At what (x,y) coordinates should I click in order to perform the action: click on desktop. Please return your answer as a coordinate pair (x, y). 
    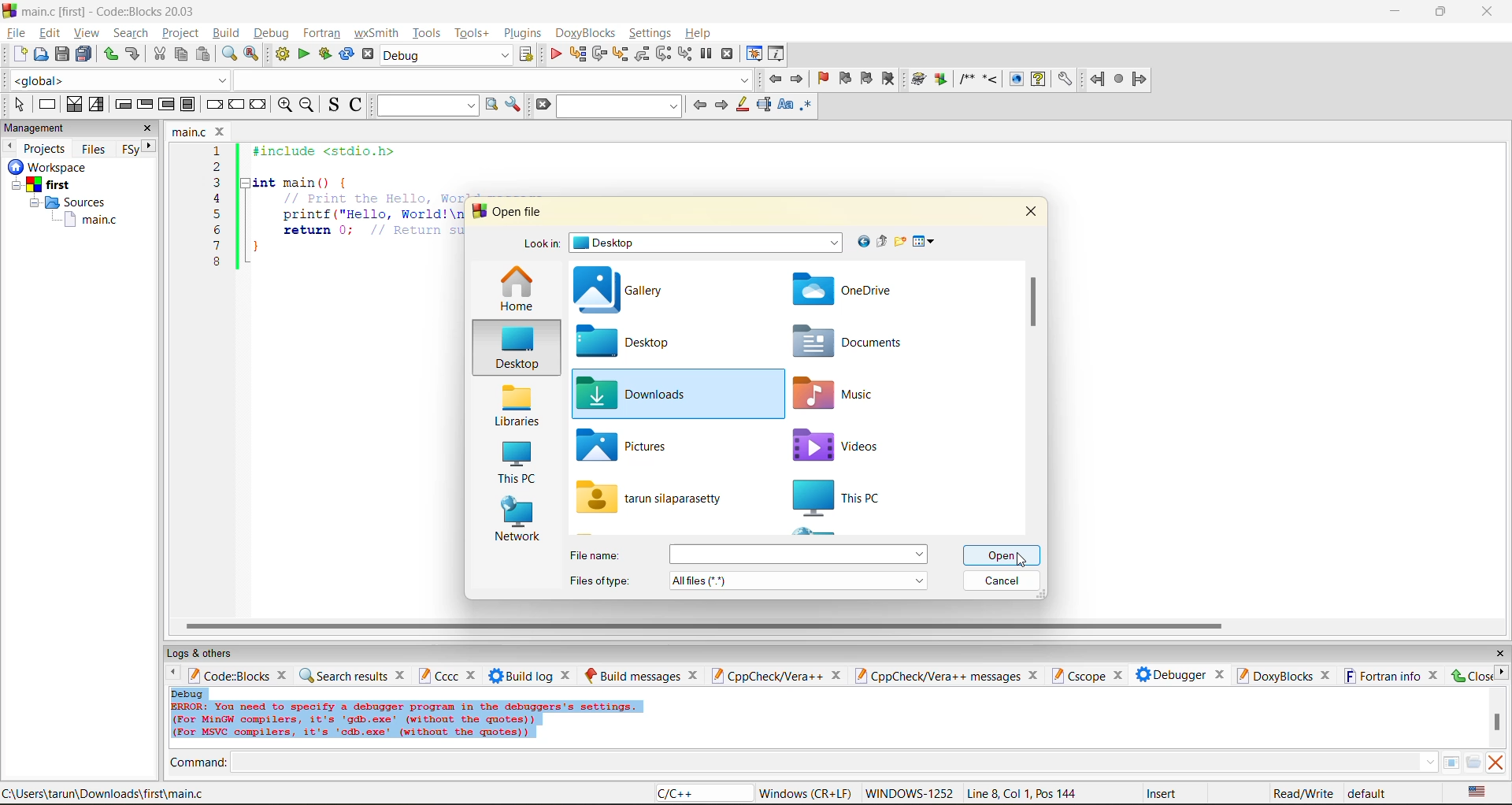
    Looking at the image, I should click on (514, 350).